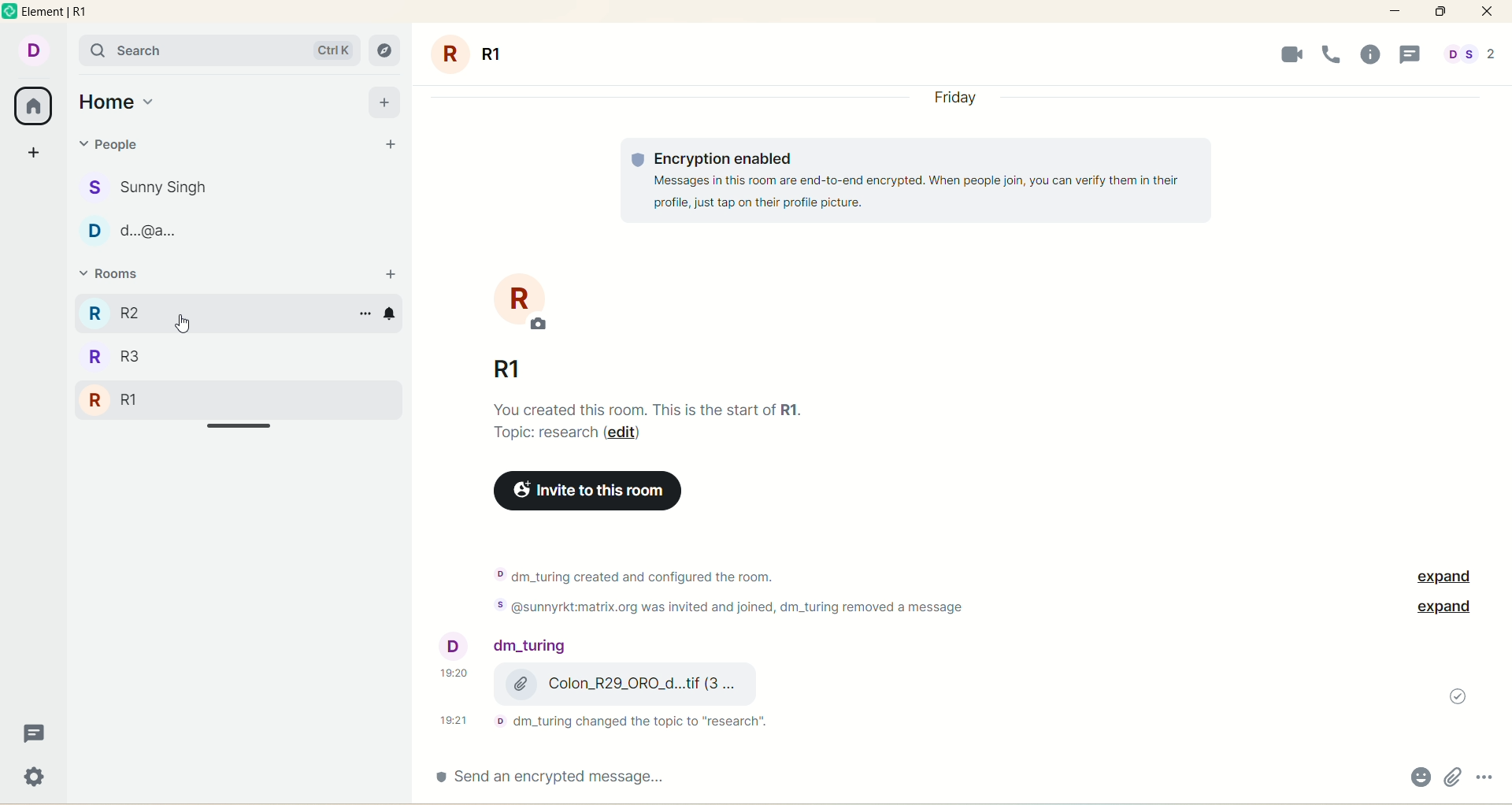 The image size is (1512, 805). I want to click on video call, so click(1287, 54).